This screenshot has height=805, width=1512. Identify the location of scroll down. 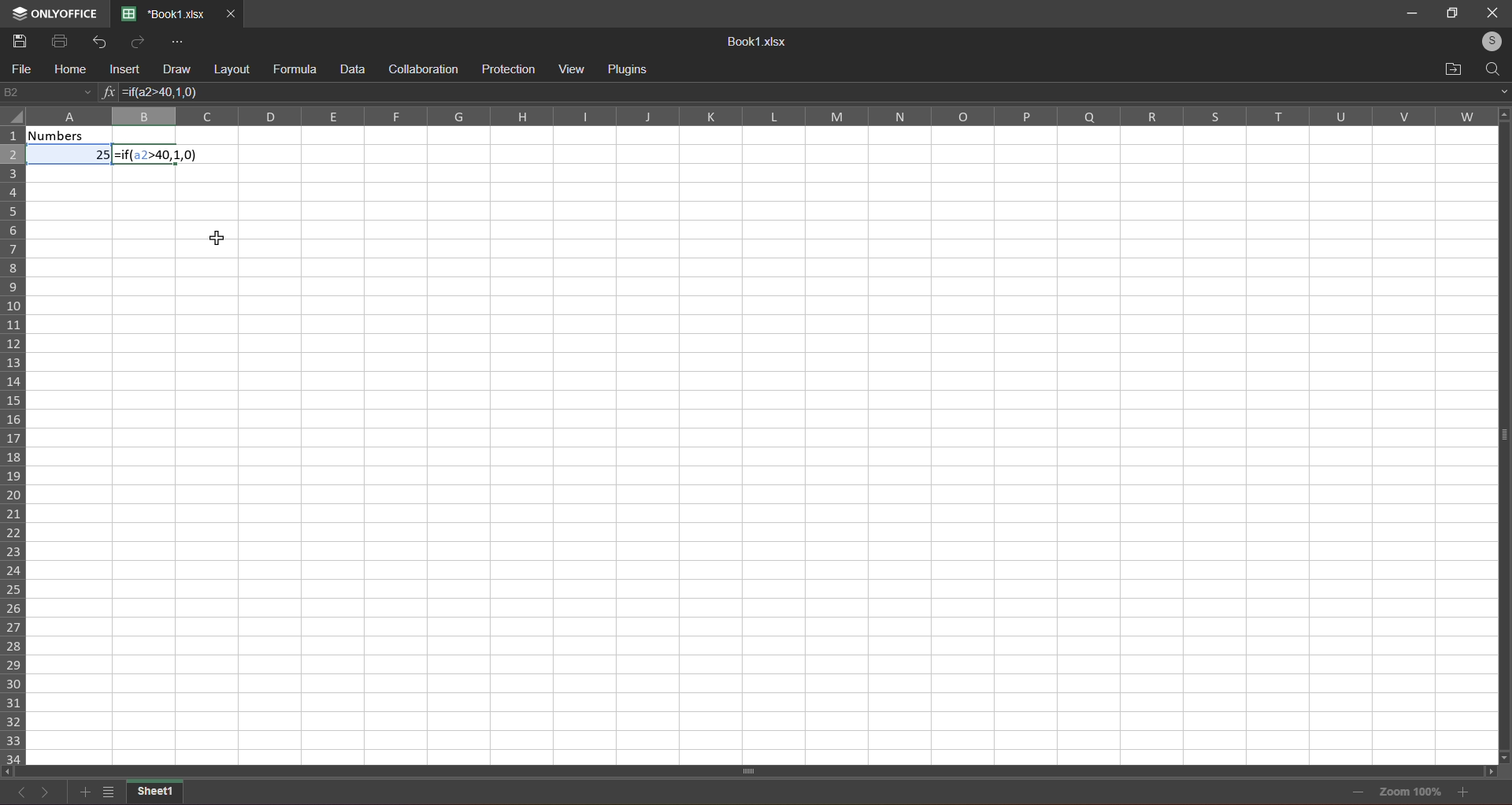
(1506, 756).